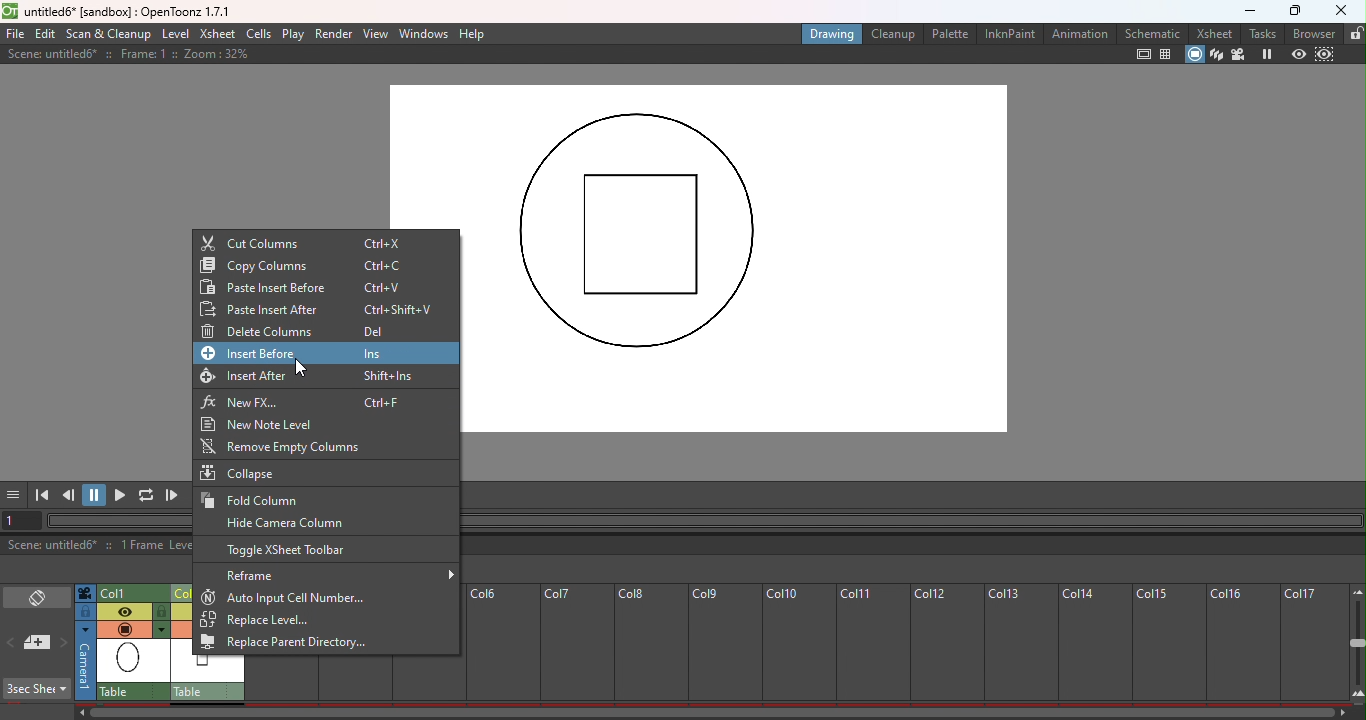 This screenshot has height=720, width=1366. Describe the element at coordinates (125, 610) in the screenshot. I see `Preview visibility toggle` at that location.